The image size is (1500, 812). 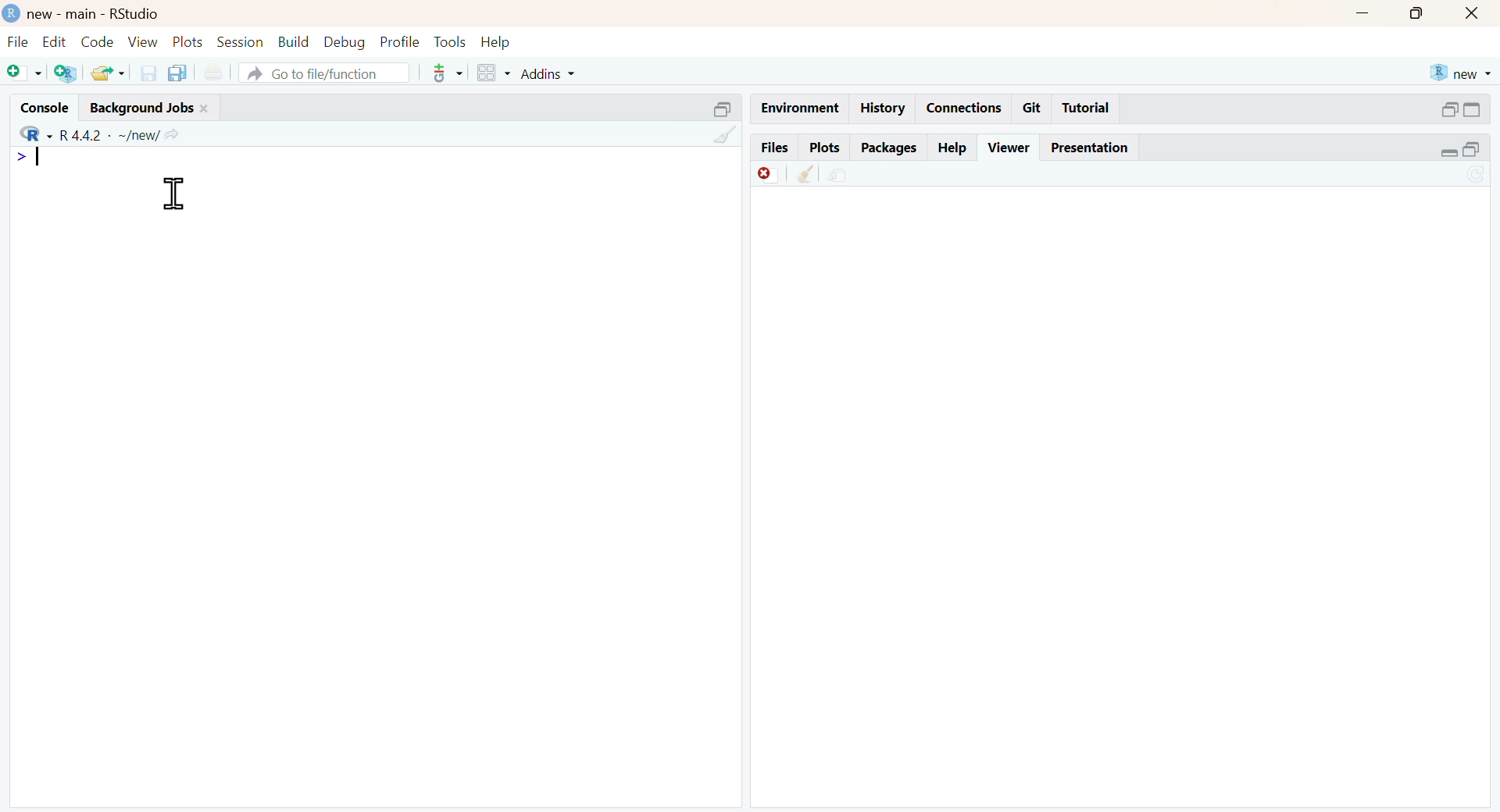 I want to click on tools, so click(x=450, y=41).